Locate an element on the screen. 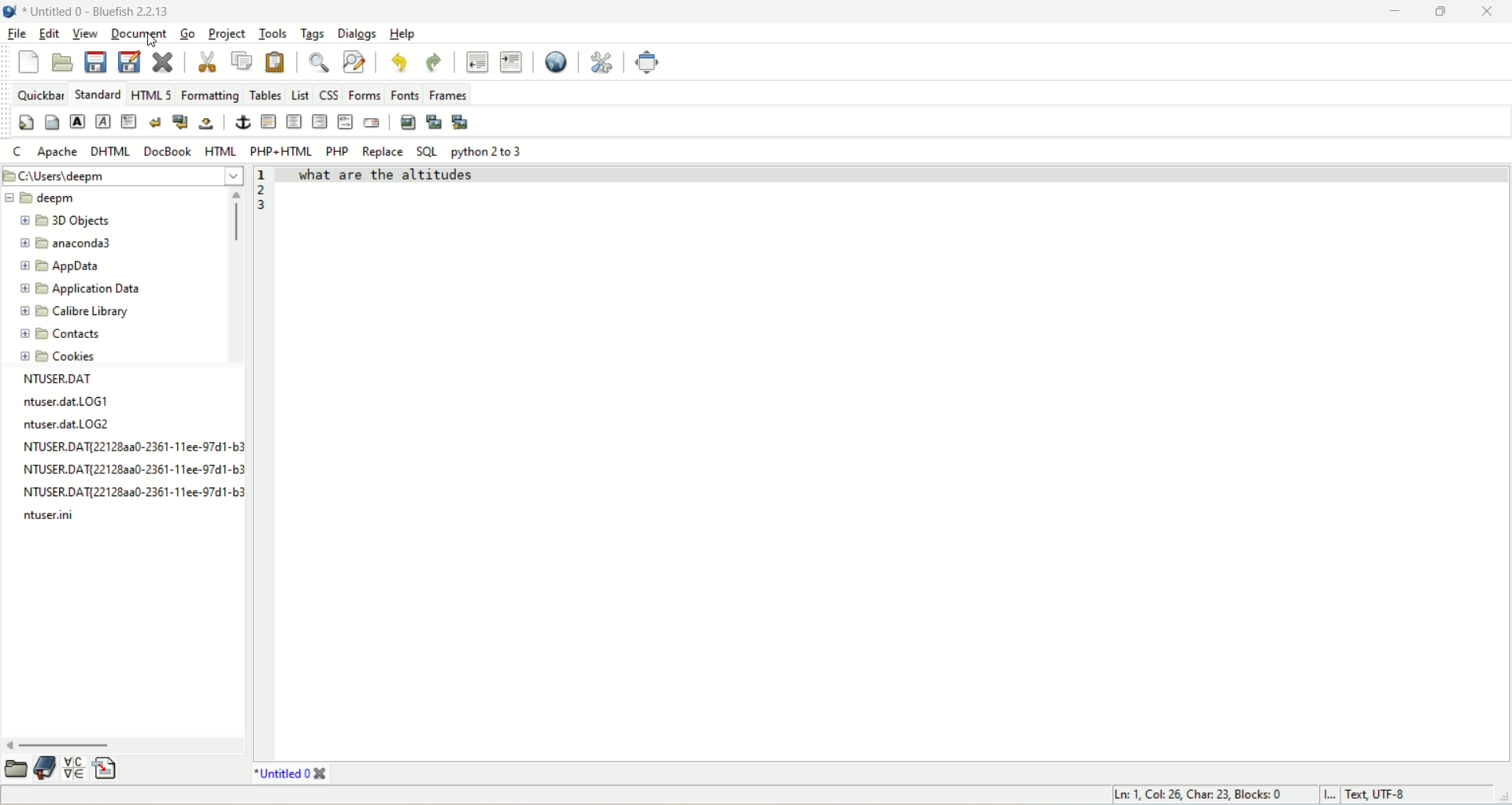 The image size is (1512, 805). break is located at coordinates (157, 123).